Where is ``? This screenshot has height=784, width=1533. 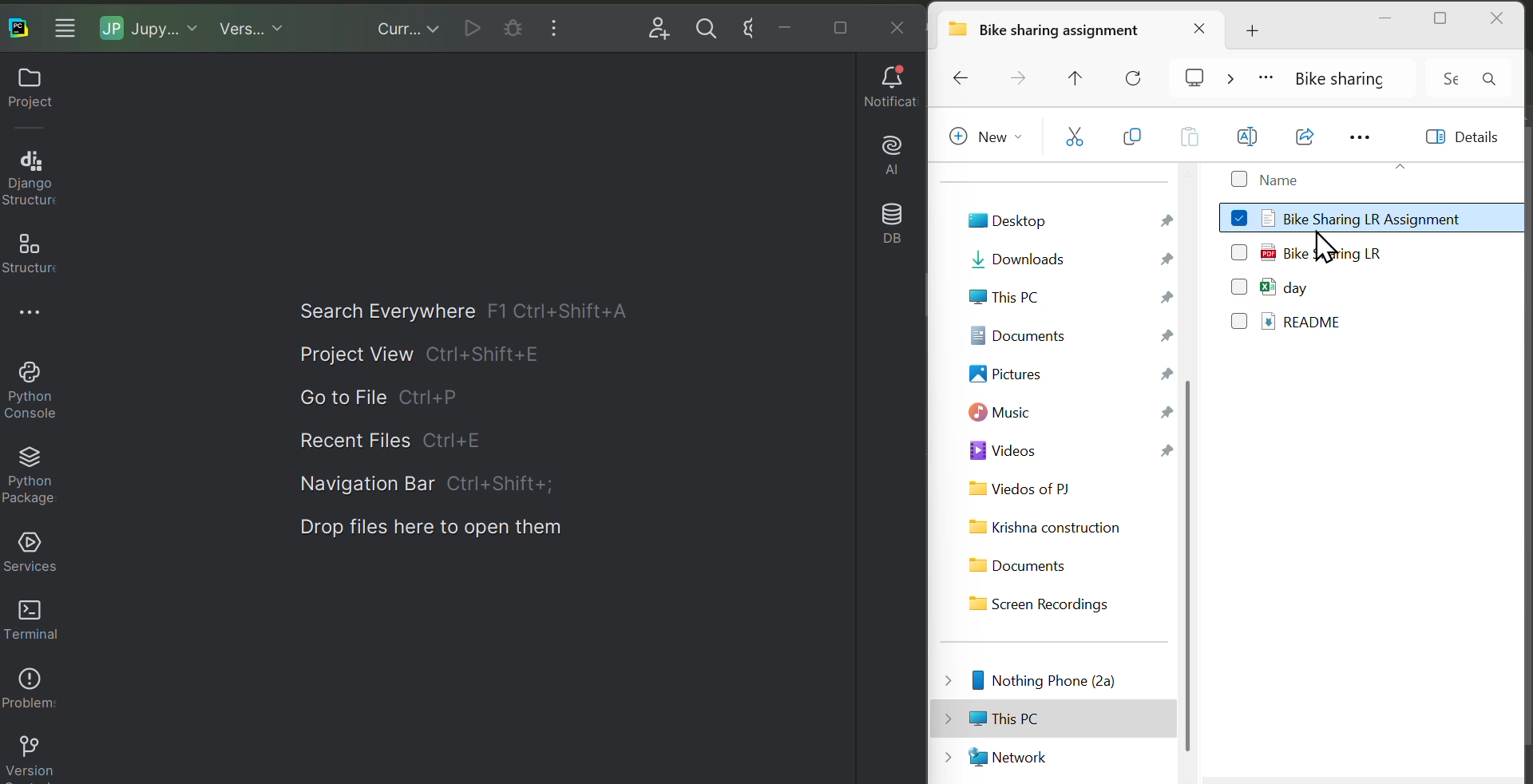  is located at coordinates (745, 25).